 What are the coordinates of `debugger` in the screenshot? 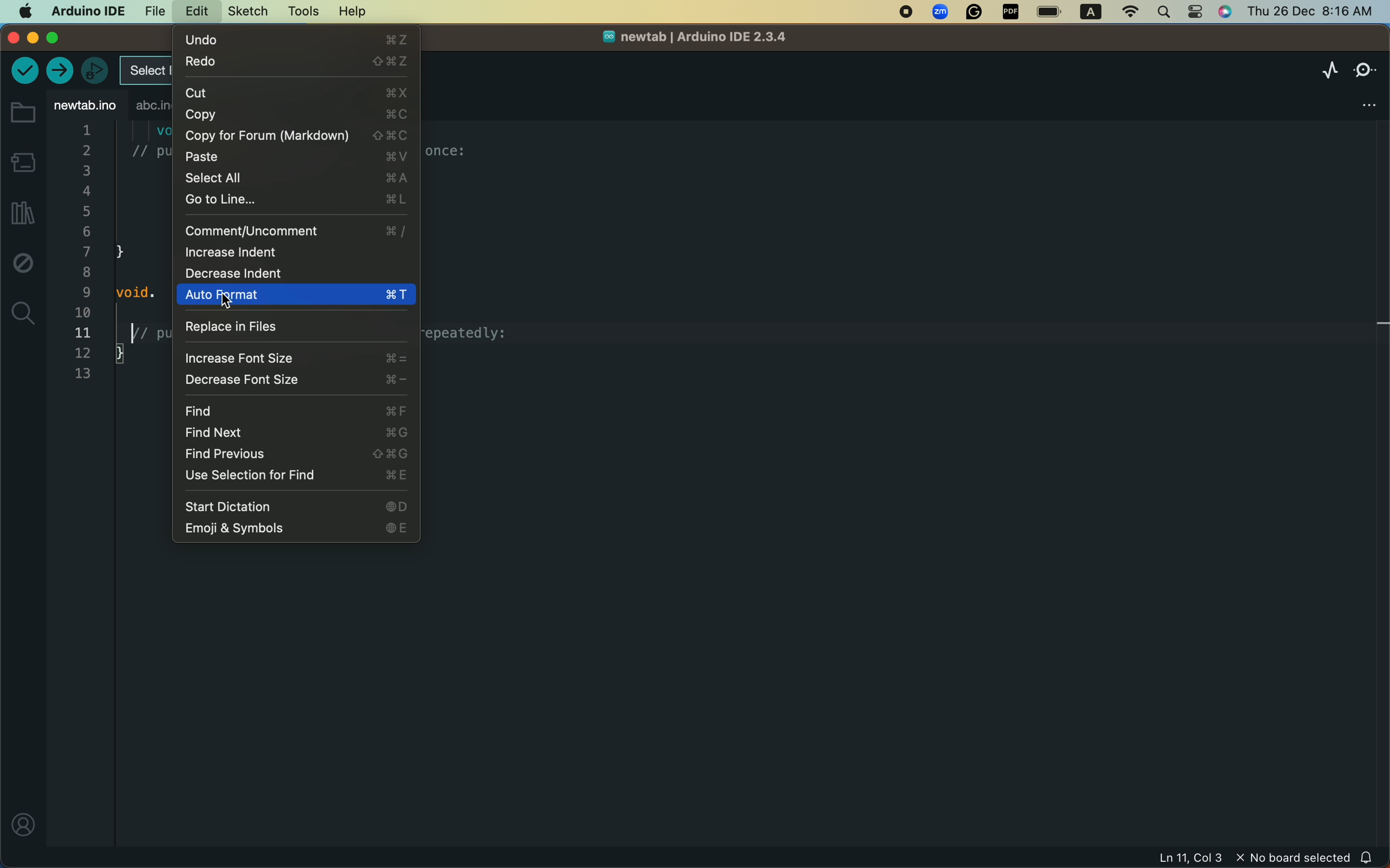 It's located at (94, 70).